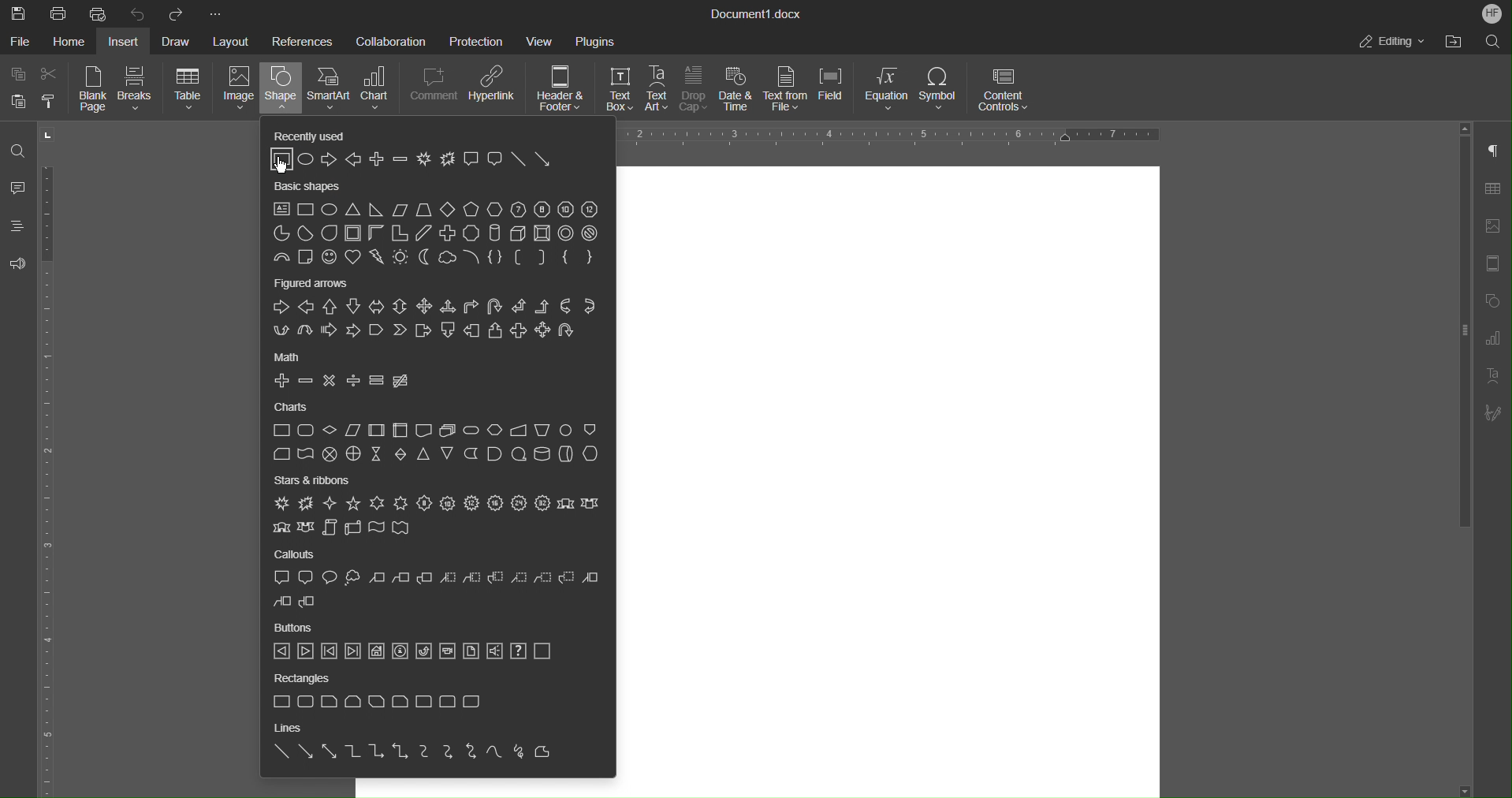 This screenshot has width=1512, height=798. I want to click on Shape Settings, so click(1496, 300).